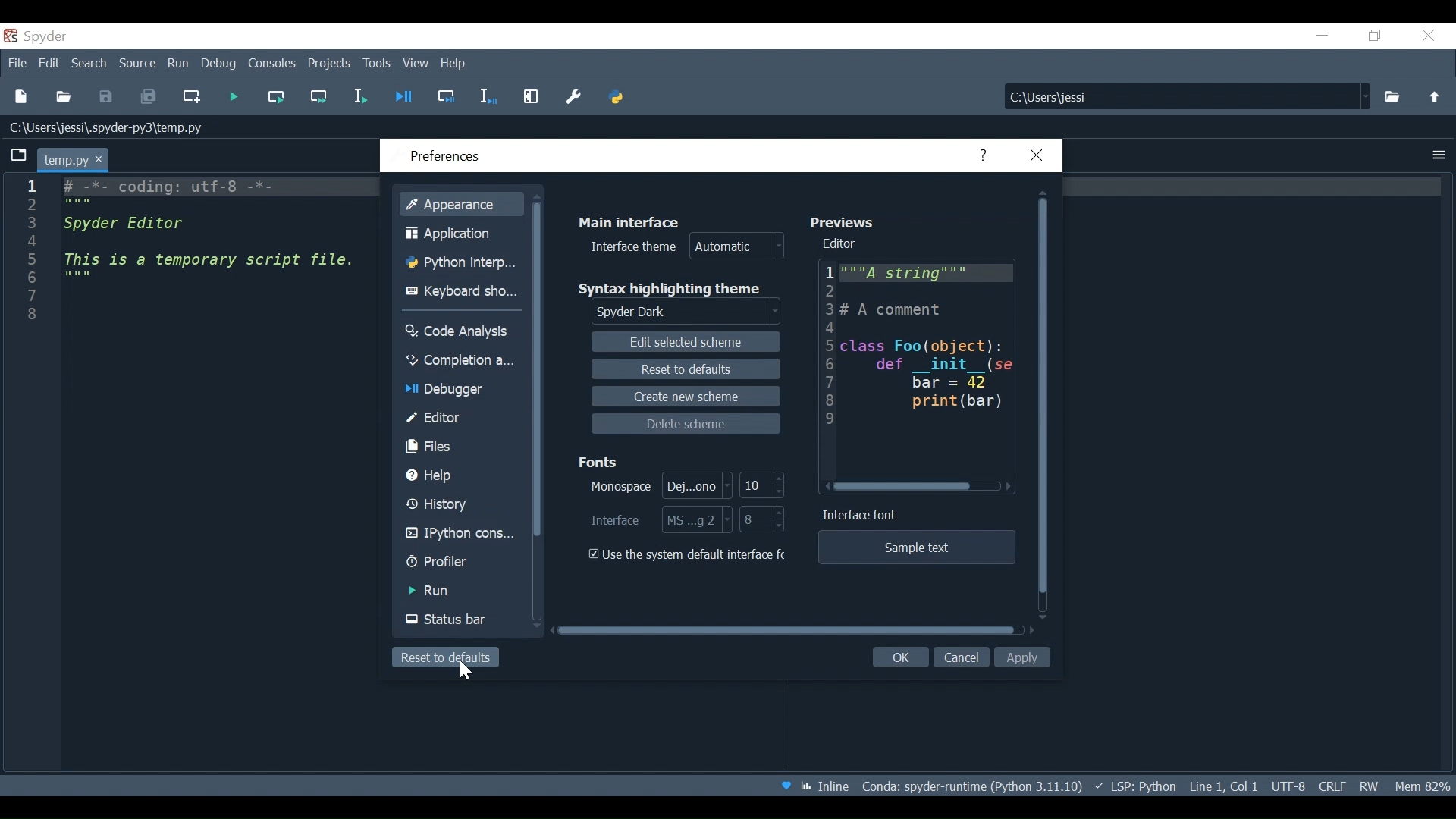 The width and height of the screenshot is (1456, 819). What do you see at coordinates (984, 155) in the screenshot?
I see `Help` at bounding box center [984, 155].